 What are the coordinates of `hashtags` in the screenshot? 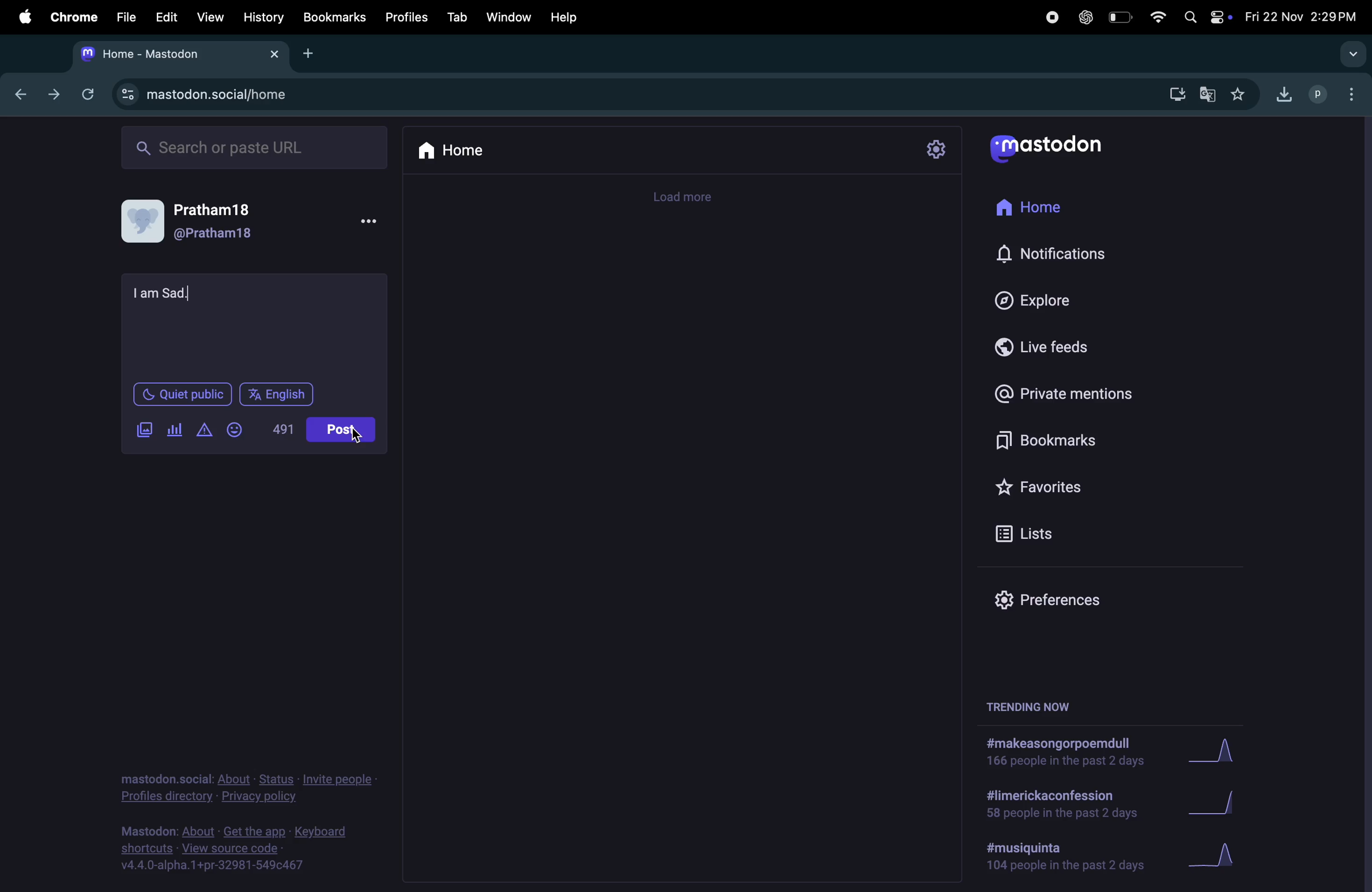 It's located at (1068, 860).